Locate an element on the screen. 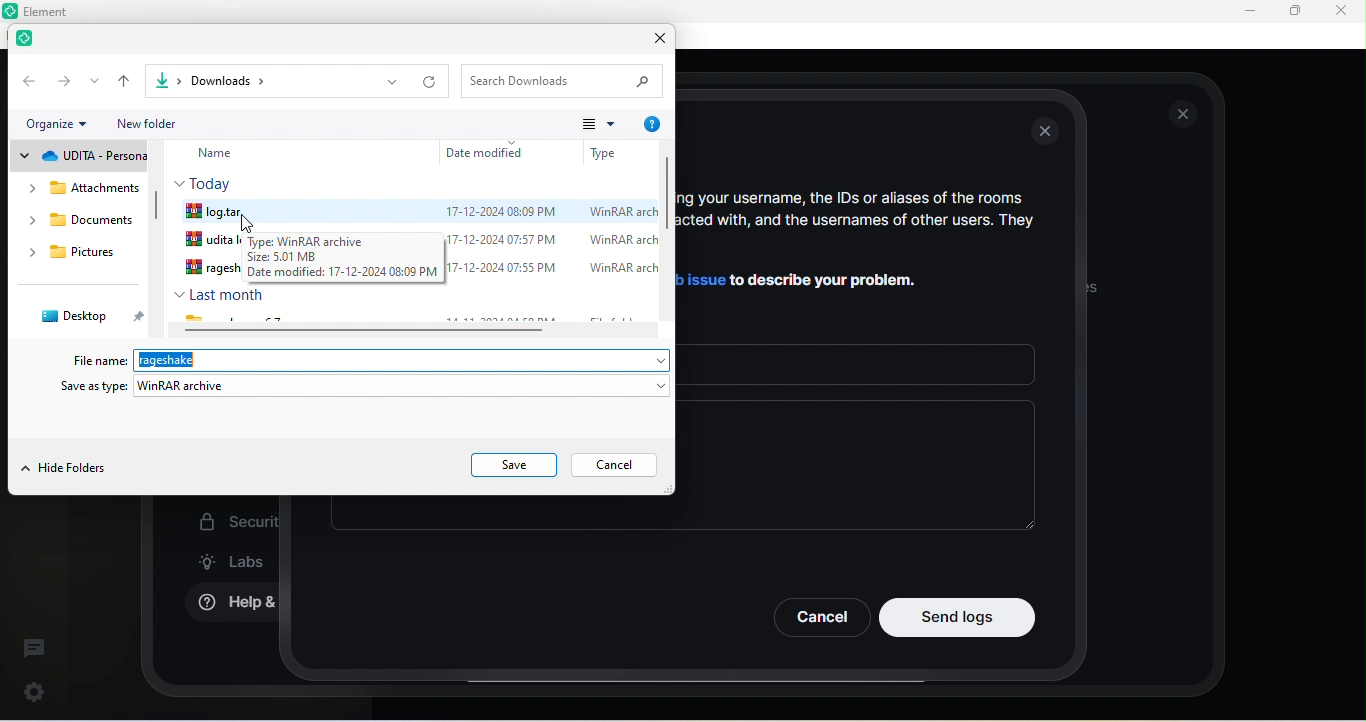 The image size is (1366, 722). Element is located at coordinates (54, 11).